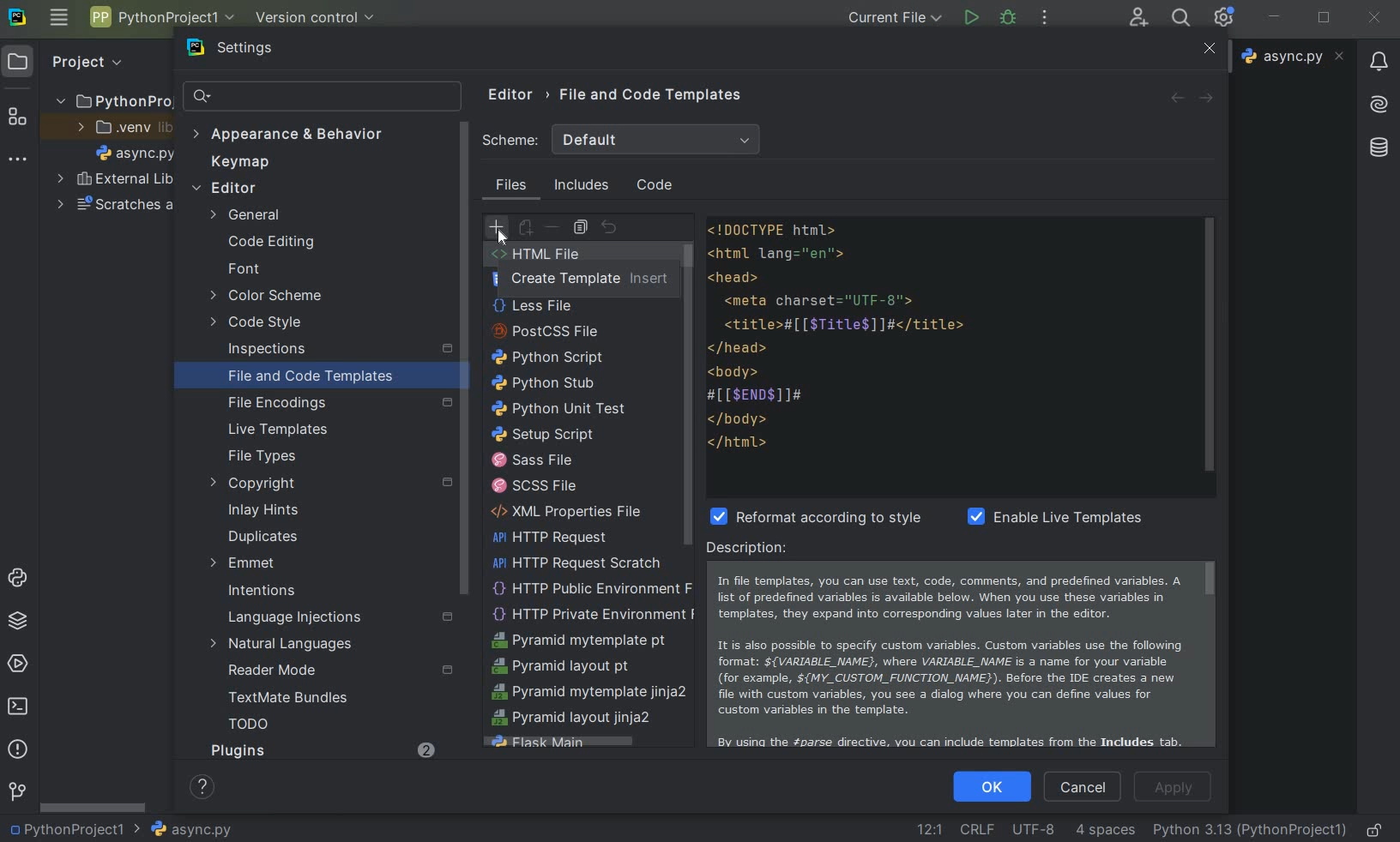  What do you see at coordinates (584, 226) in the screenshot?
I see `copy template` at bounding box center [584, 226].